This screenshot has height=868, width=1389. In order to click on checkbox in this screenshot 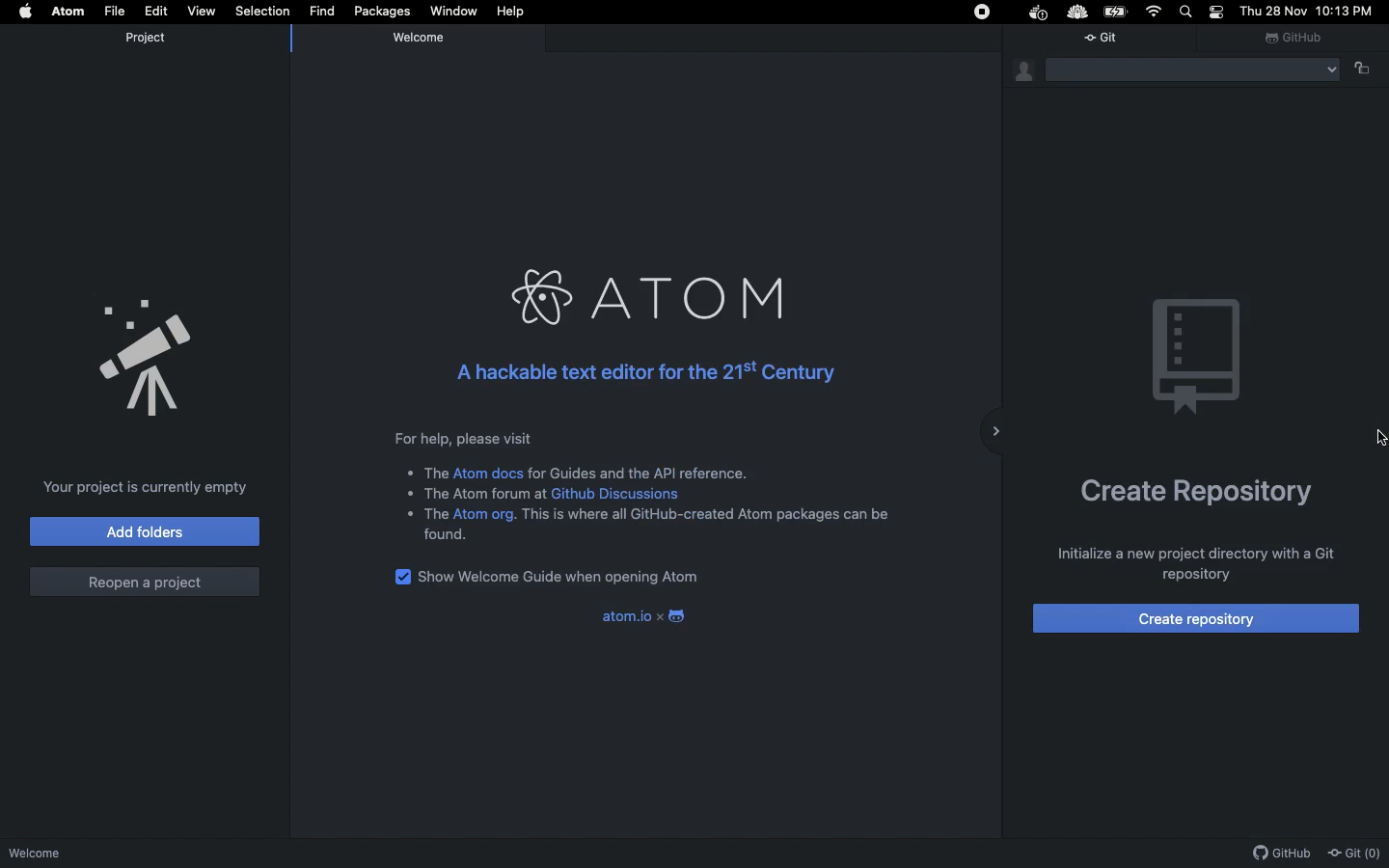, I will do `click(399, 577)`.